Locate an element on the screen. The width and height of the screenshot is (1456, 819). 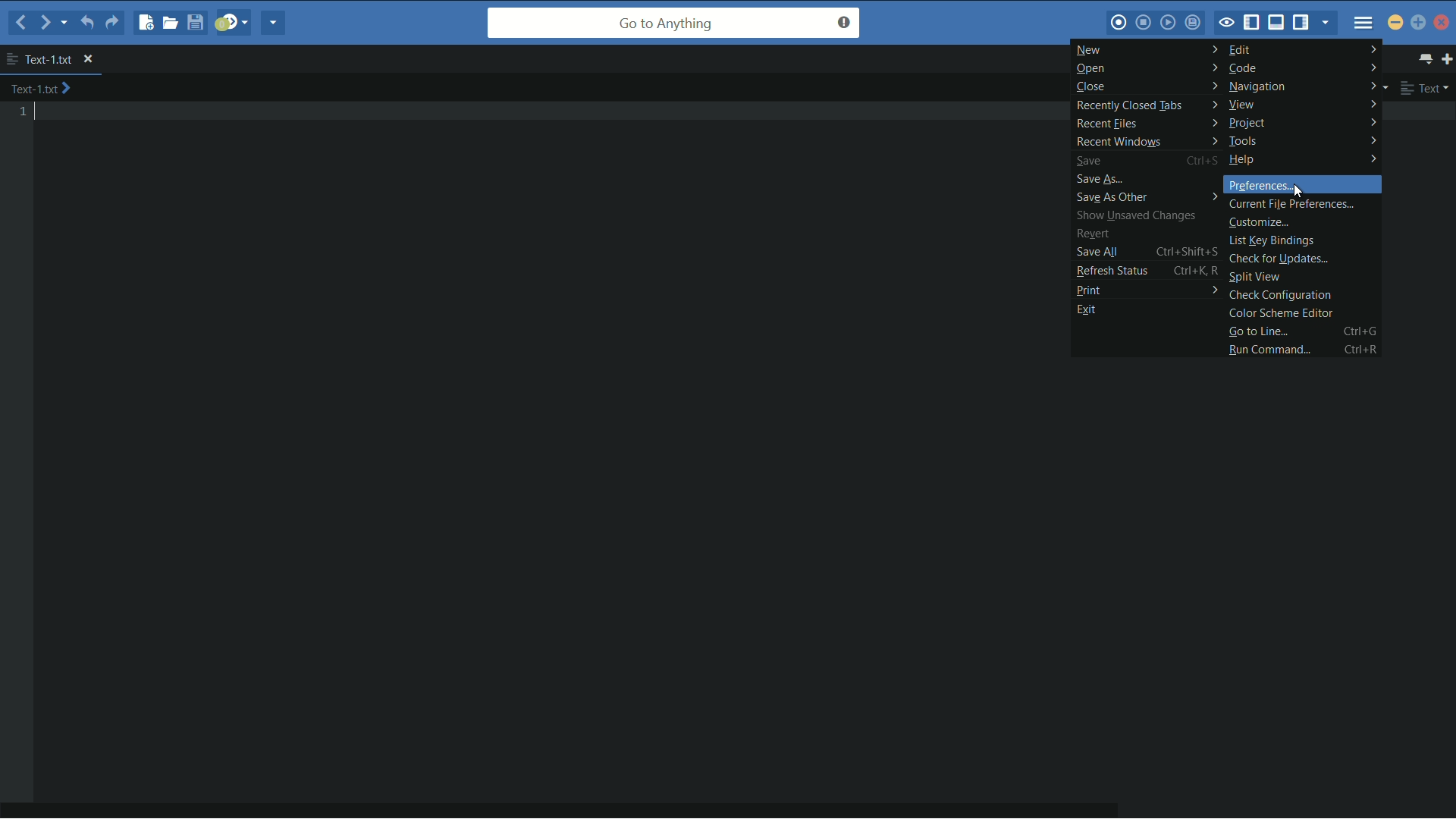
customize is located at coordinates (1259, 222).